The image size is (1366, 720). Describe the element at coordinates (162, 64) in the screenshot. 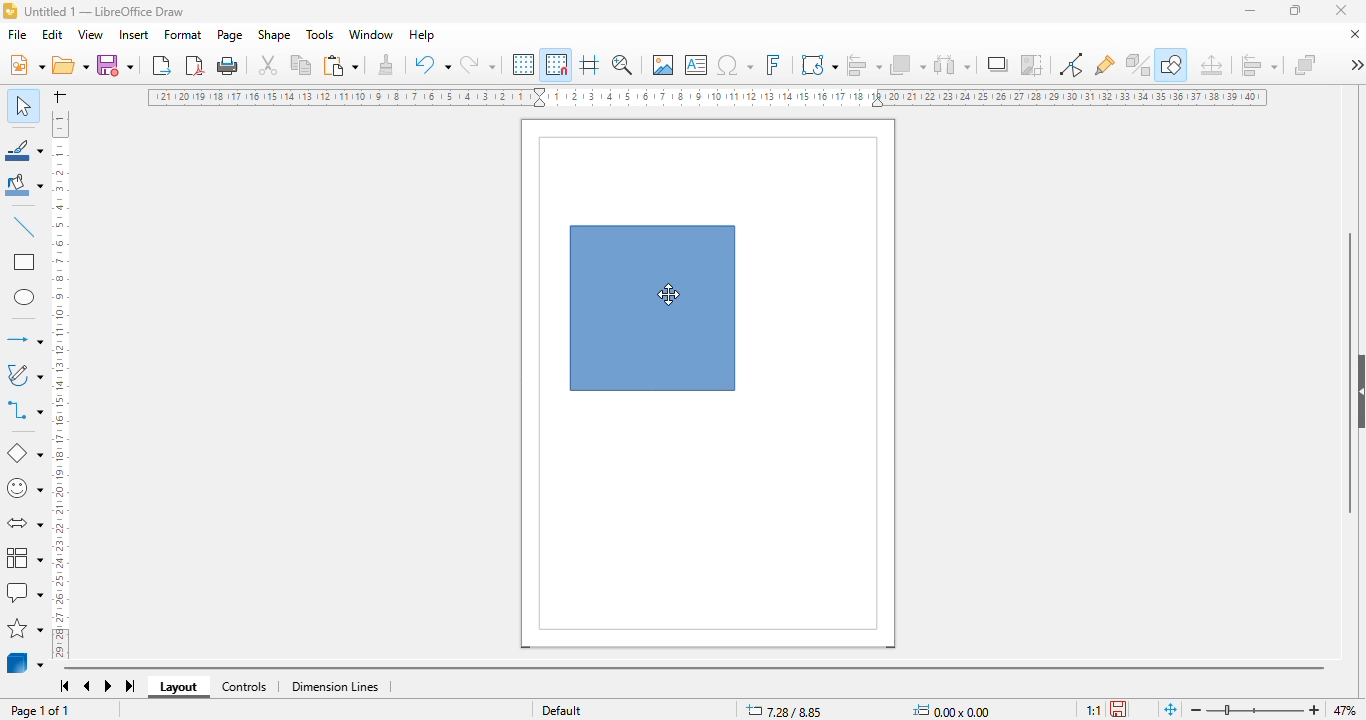

I see `export` at that location.